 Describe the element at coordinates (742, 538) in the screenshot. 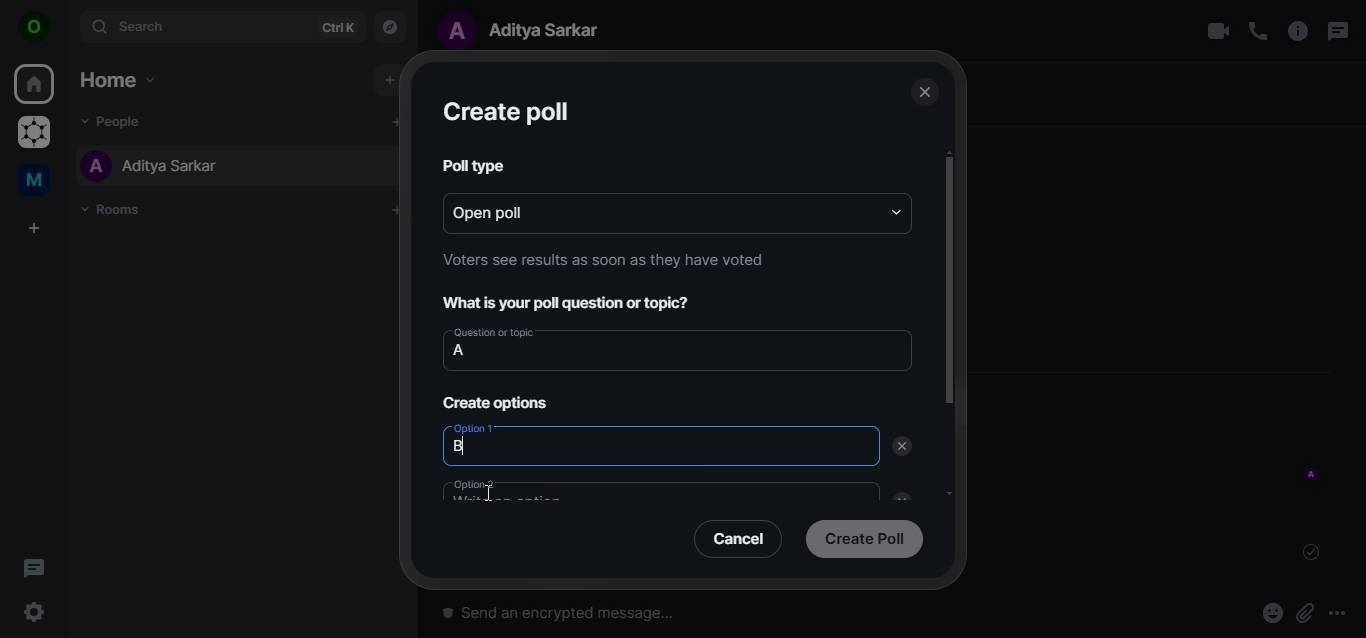

I see `cancel` at that location.